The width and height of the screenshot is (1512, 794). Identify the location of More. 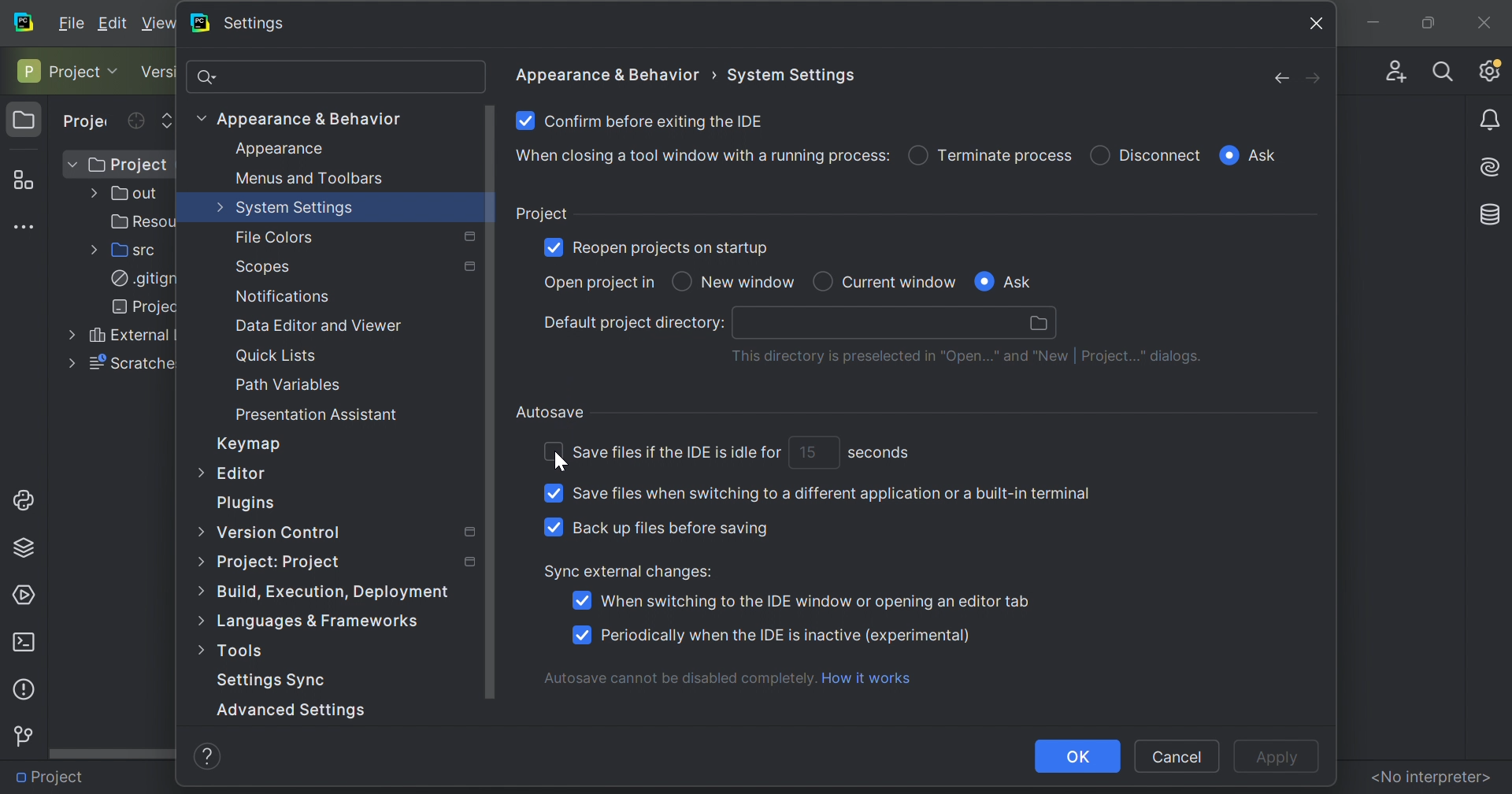
(201, 624).